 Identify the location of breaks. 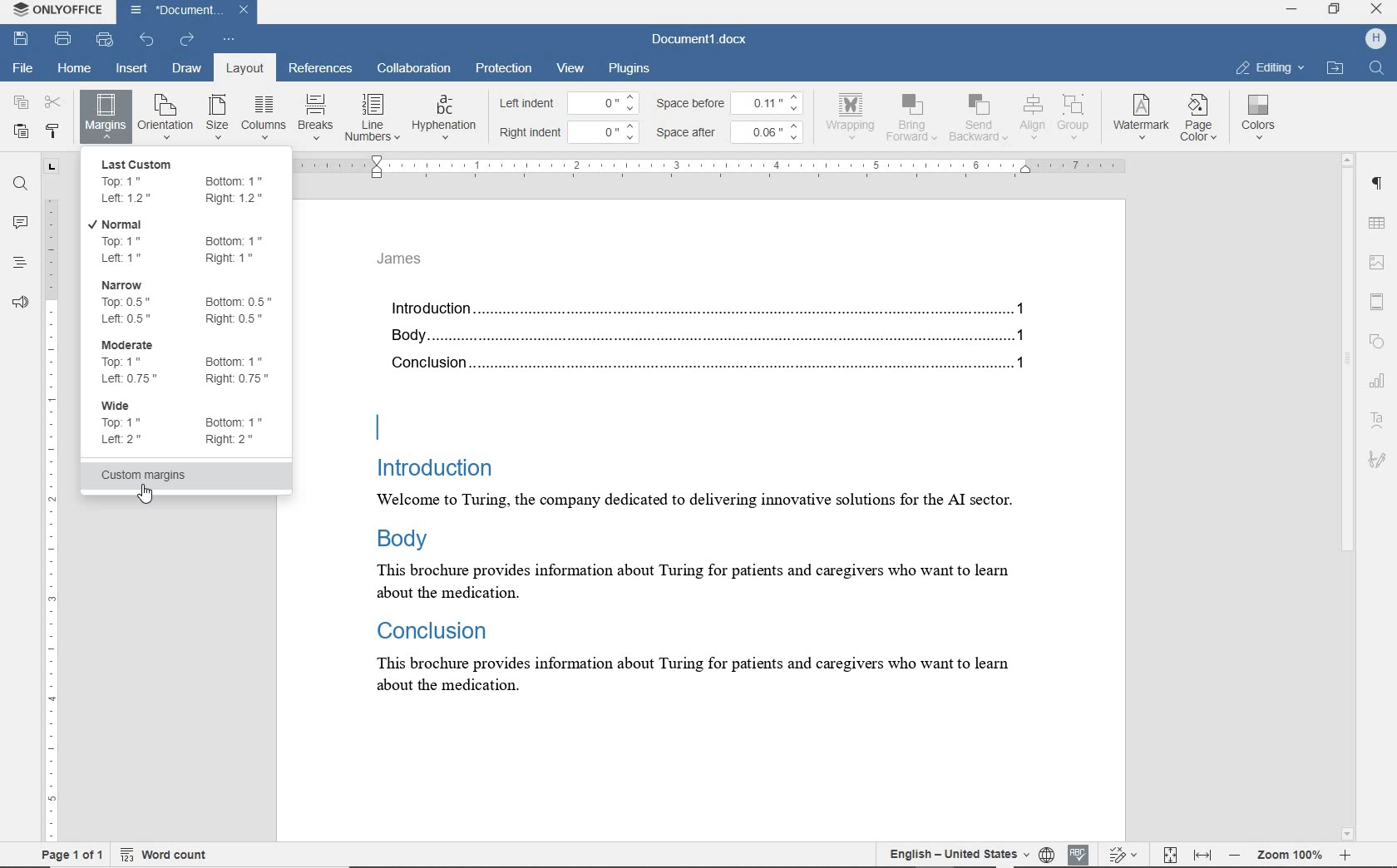
(313, 117).